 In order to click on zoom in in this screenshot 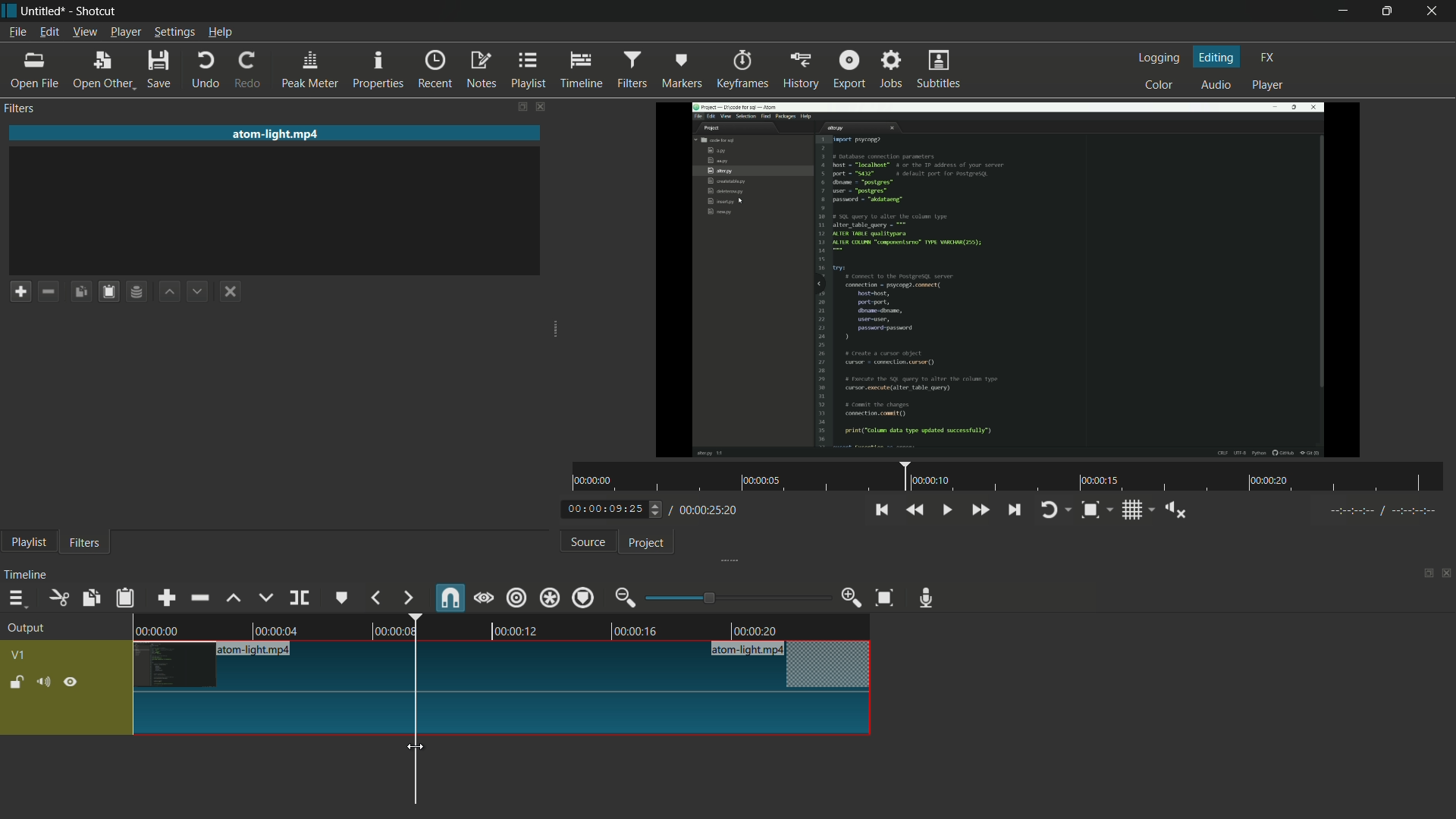, I will do `click(852, 598)`.